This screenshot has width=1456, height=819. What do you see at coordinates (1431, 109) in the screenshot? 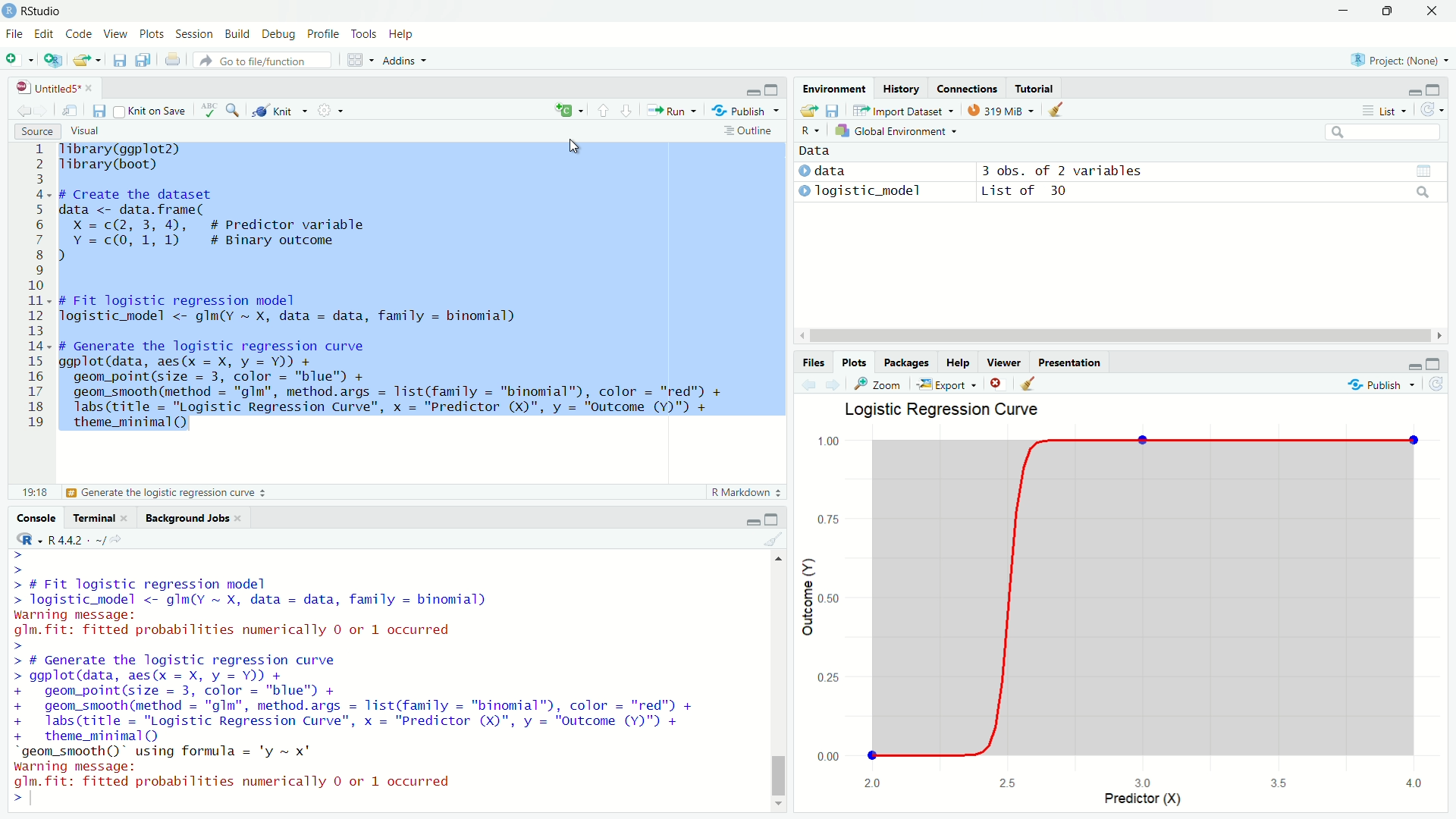
I see `Refresh the list of objects in the environment` at bounding box center [1431, 109].